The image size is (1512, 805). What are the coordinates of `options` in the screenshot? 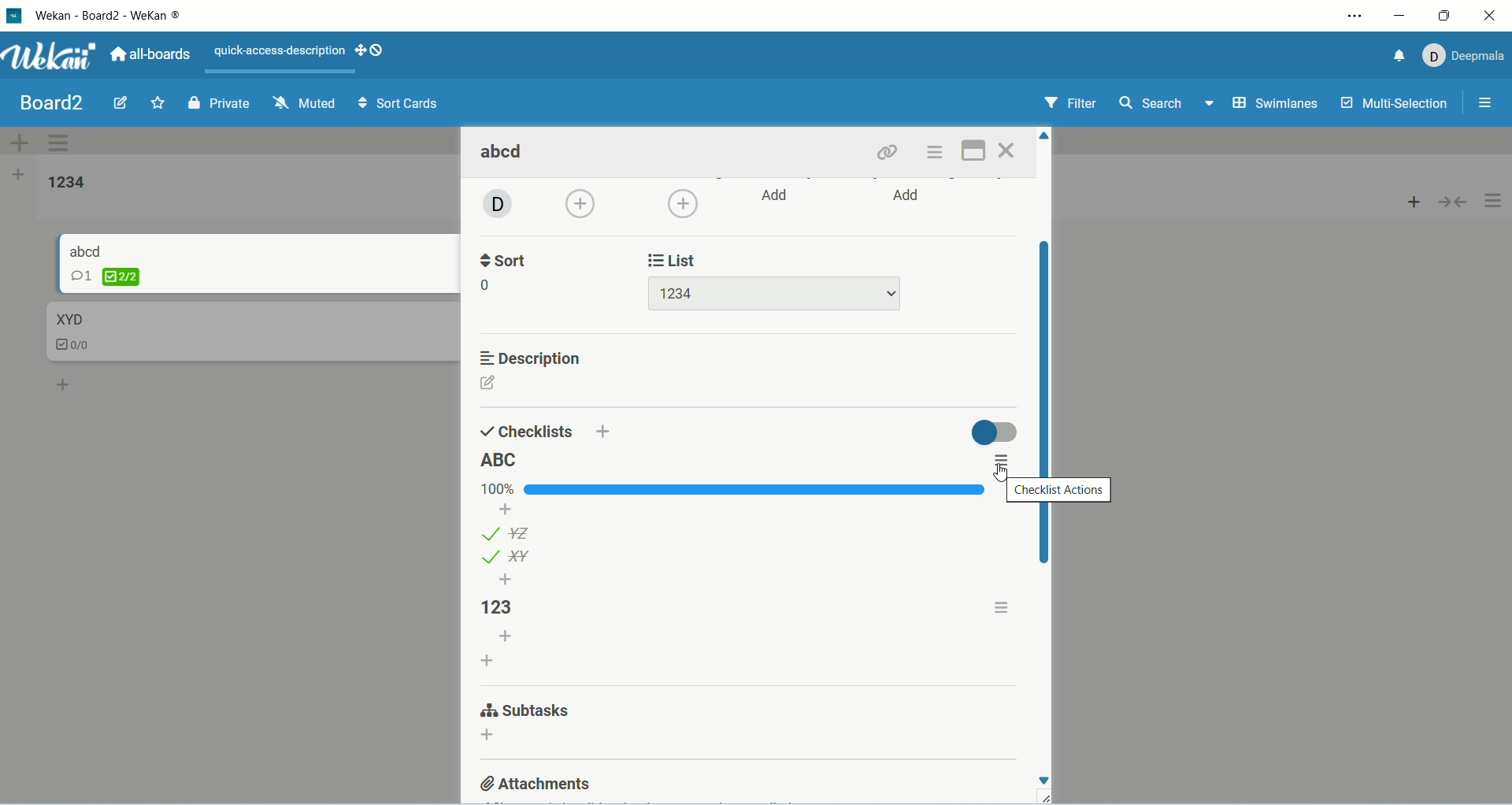 It's located at (1495, 202).